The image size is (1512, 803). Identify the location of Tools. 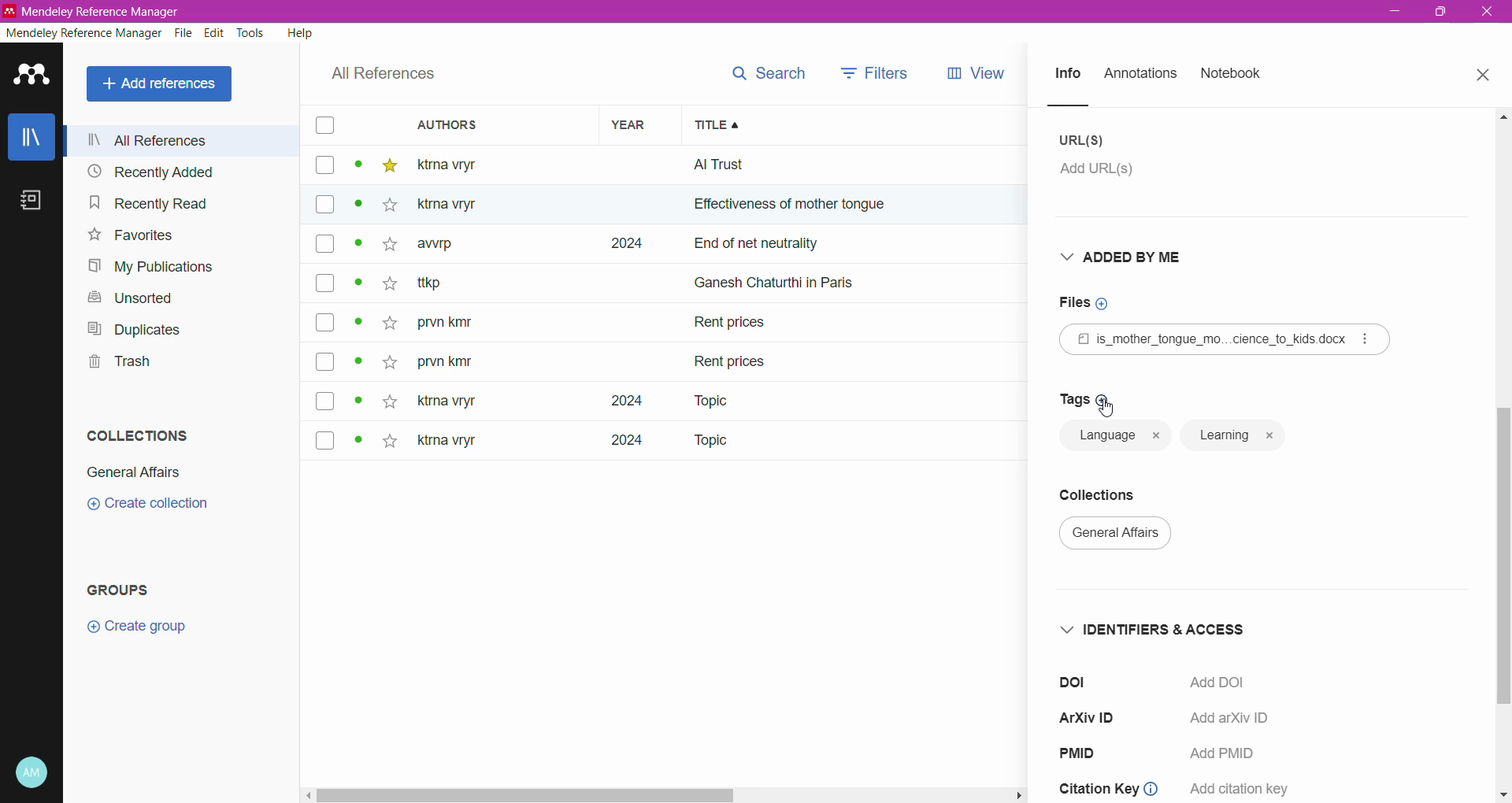
(252, 33).